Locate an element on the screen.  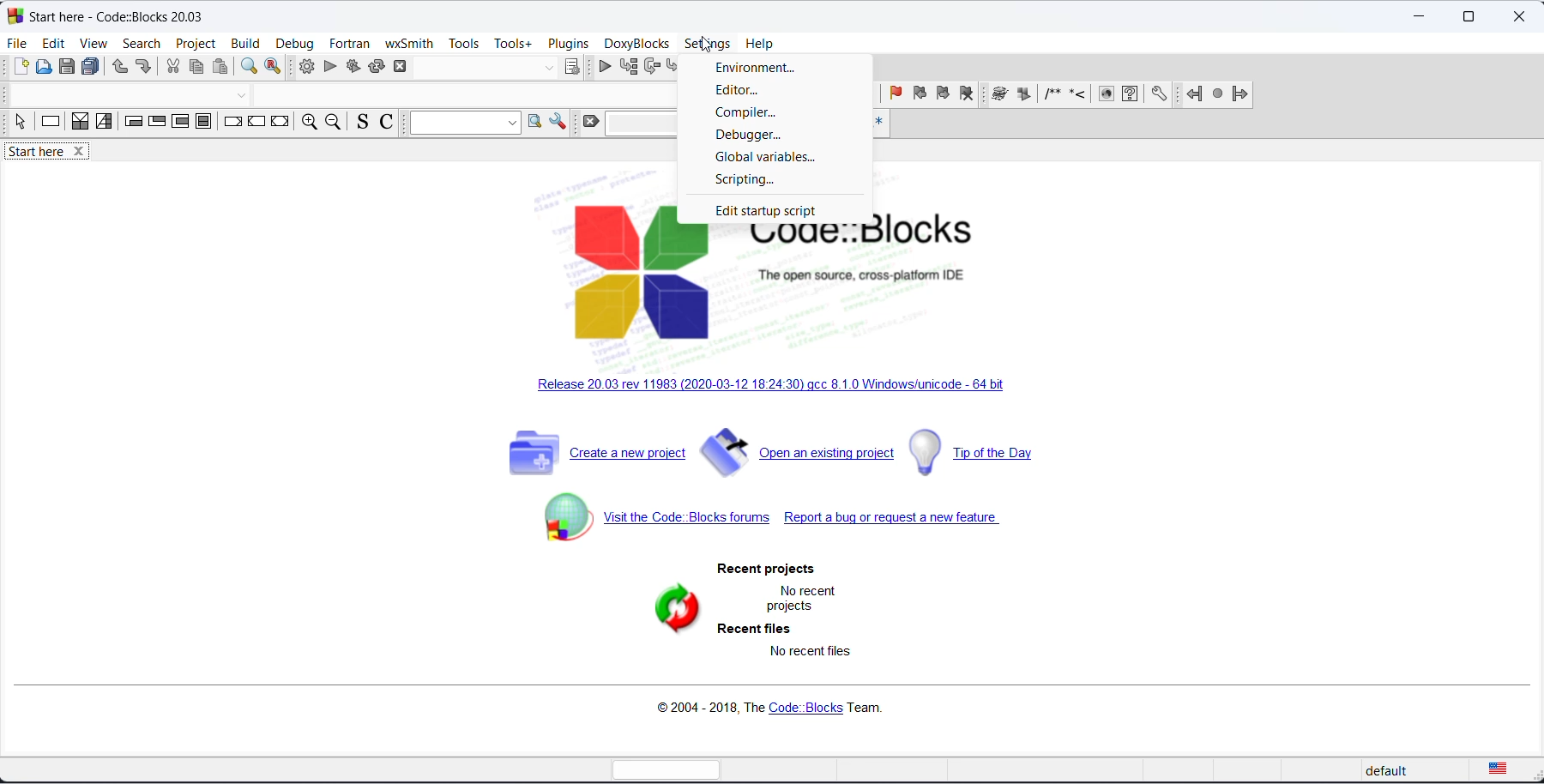
search is located at coordinates (143, 45).